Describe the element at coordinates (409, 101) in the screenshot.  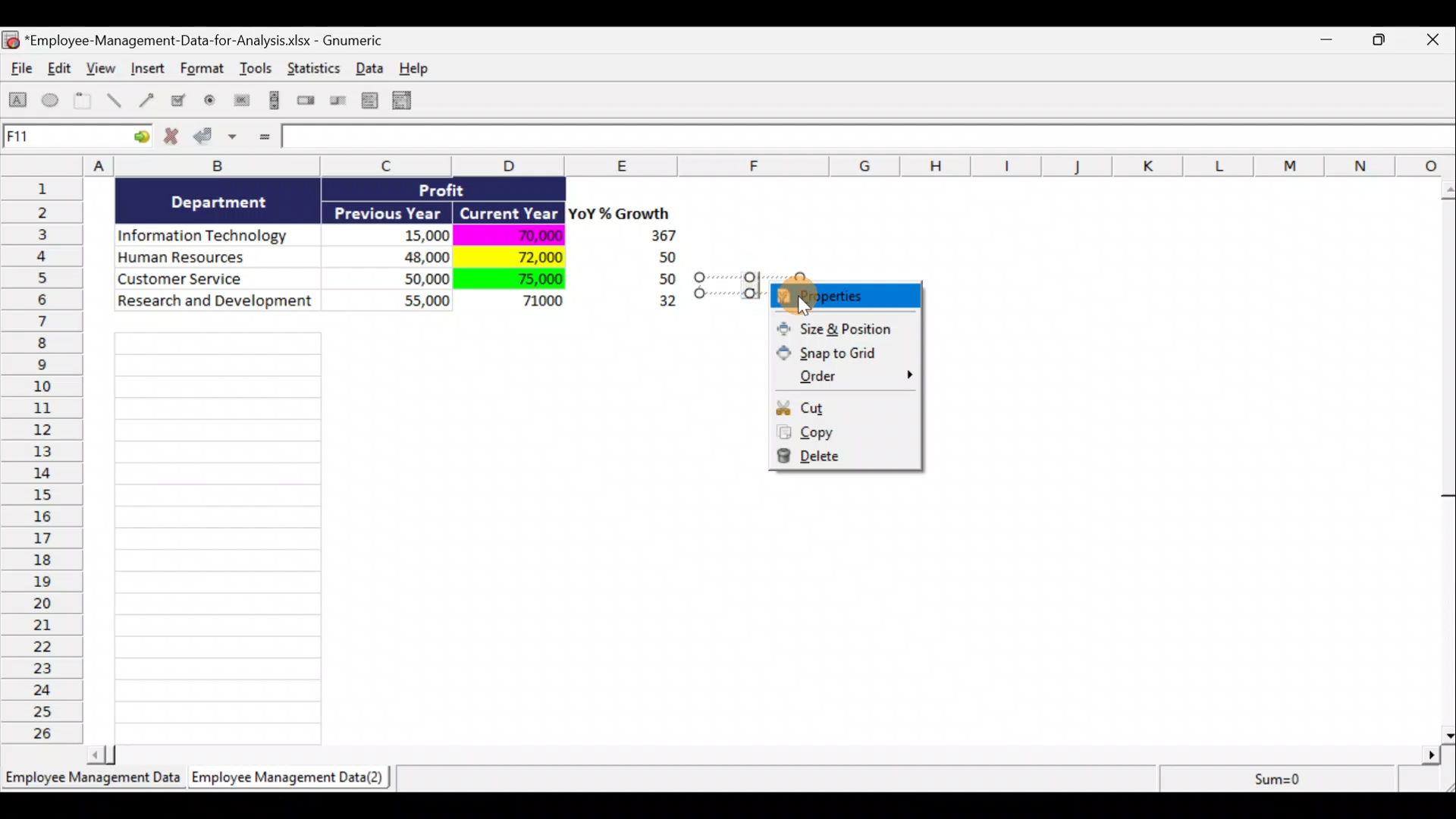
I see `Create a combo box` at that location.